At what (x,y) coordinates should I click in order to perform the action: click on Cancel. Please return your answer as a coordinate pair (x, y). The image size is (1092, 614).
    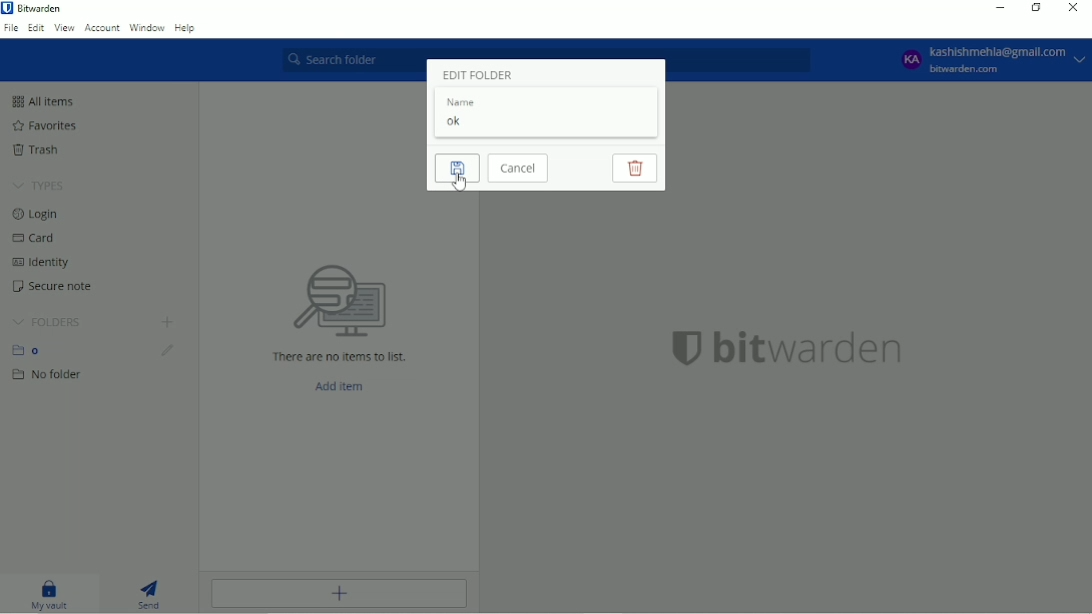
    Looking at the image, I should click on (518, 168).